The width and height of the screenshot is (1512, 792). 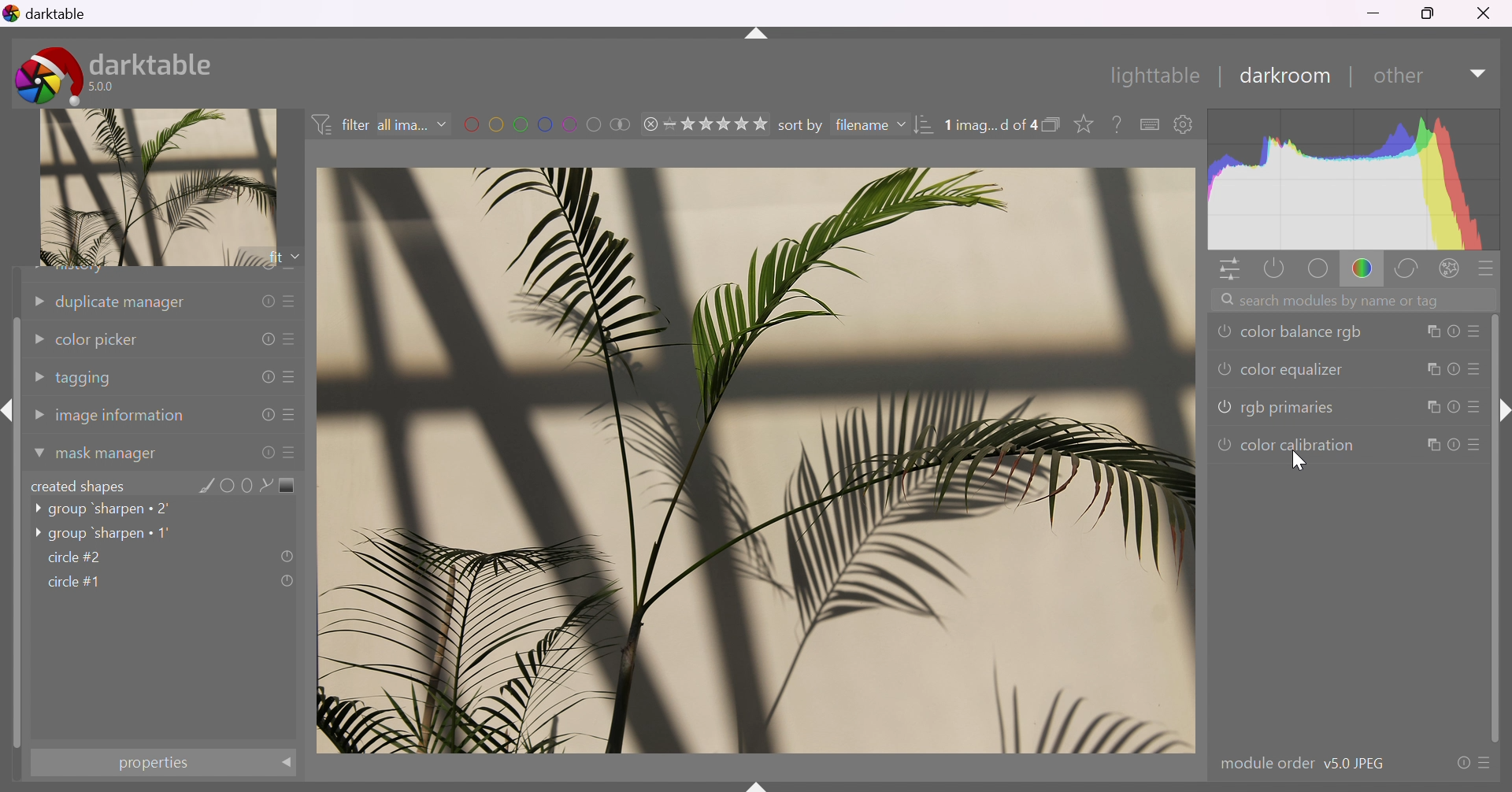 What do you see at coordinates (1347, 407) in the screenshot?
I see `rgb primaries` at bounding box center [1347, 407].